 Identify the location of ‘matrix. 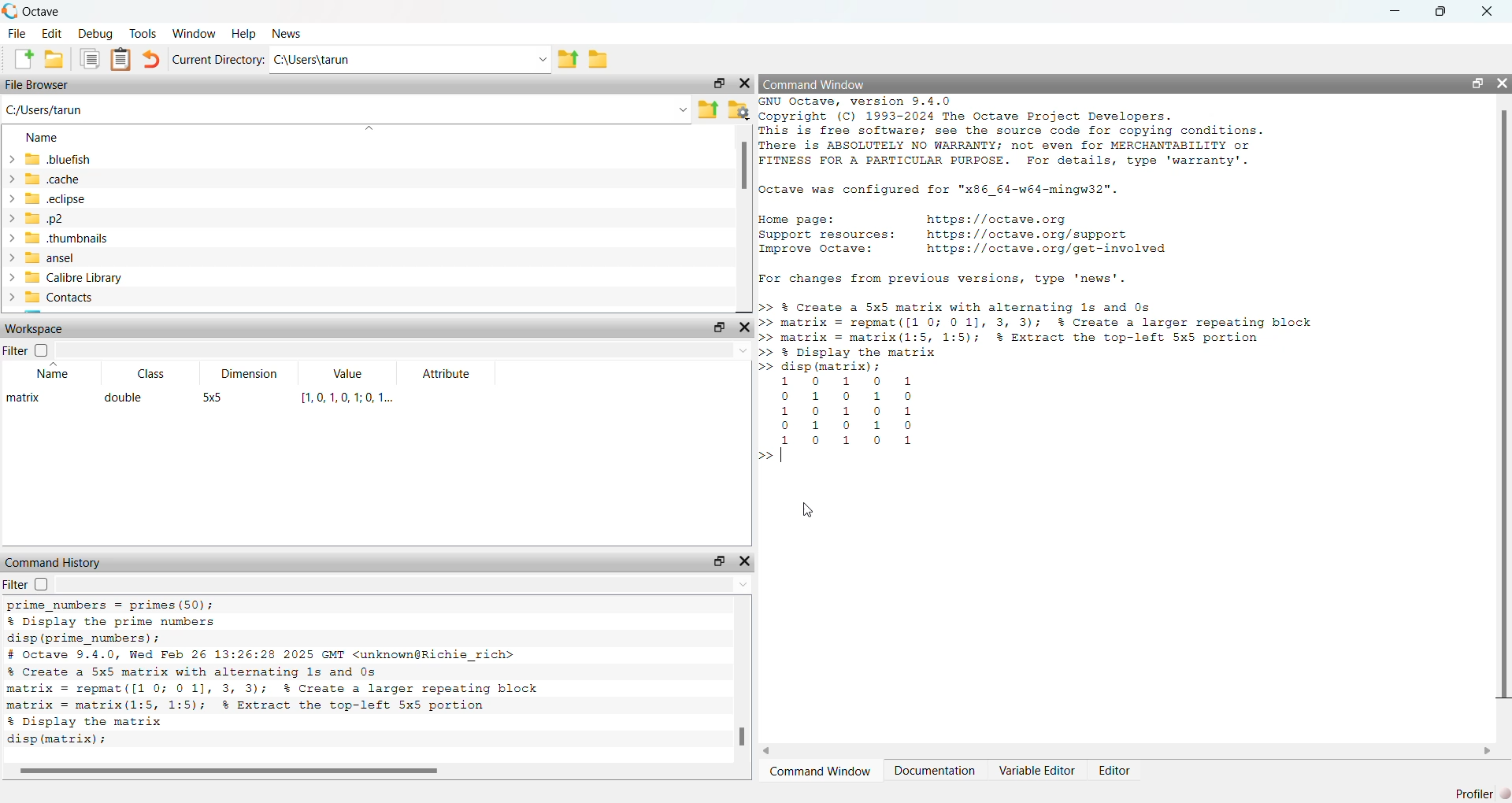
(24, 398).